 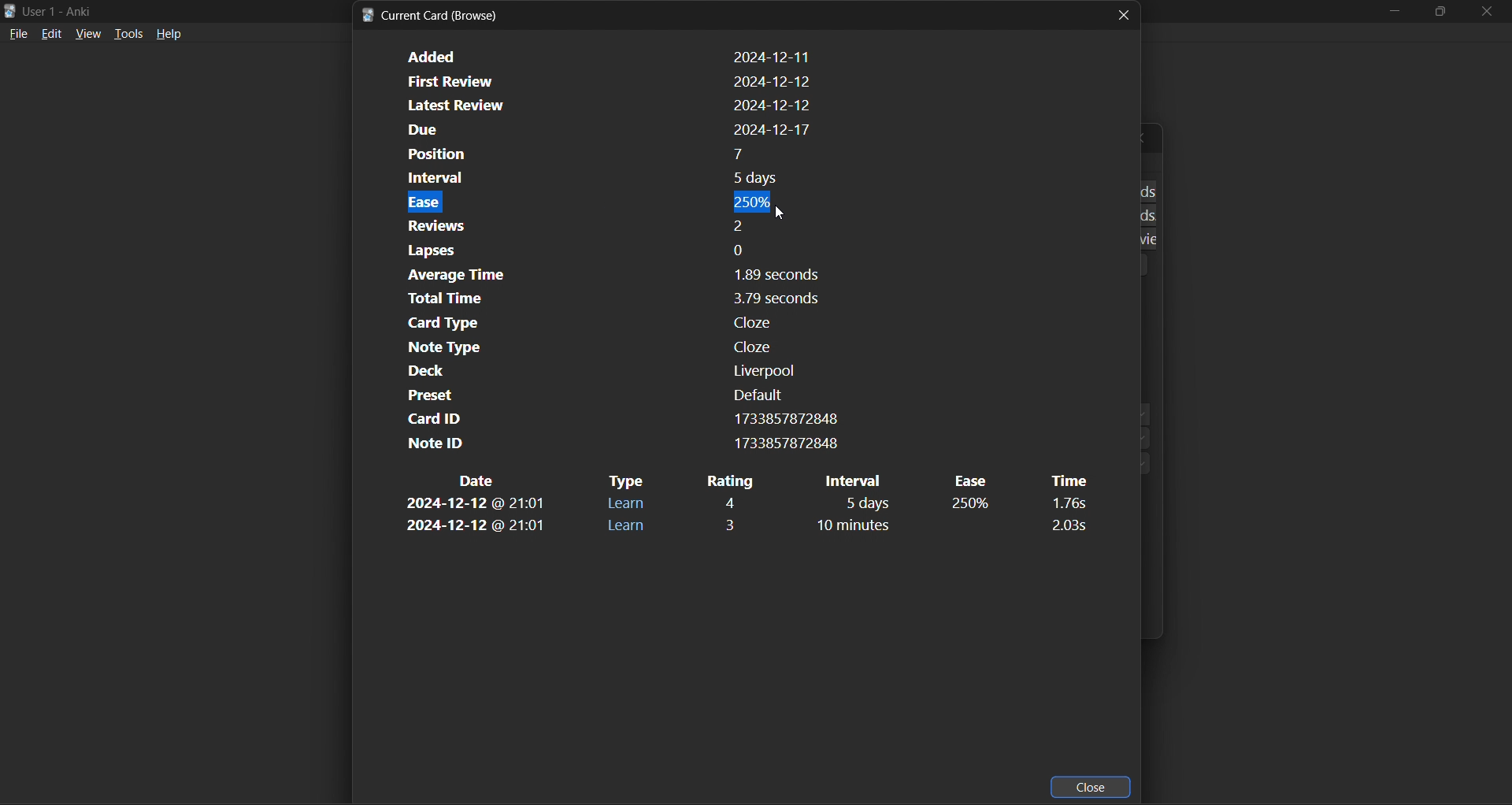 I want to click on interval, so click(x=866, y=503).